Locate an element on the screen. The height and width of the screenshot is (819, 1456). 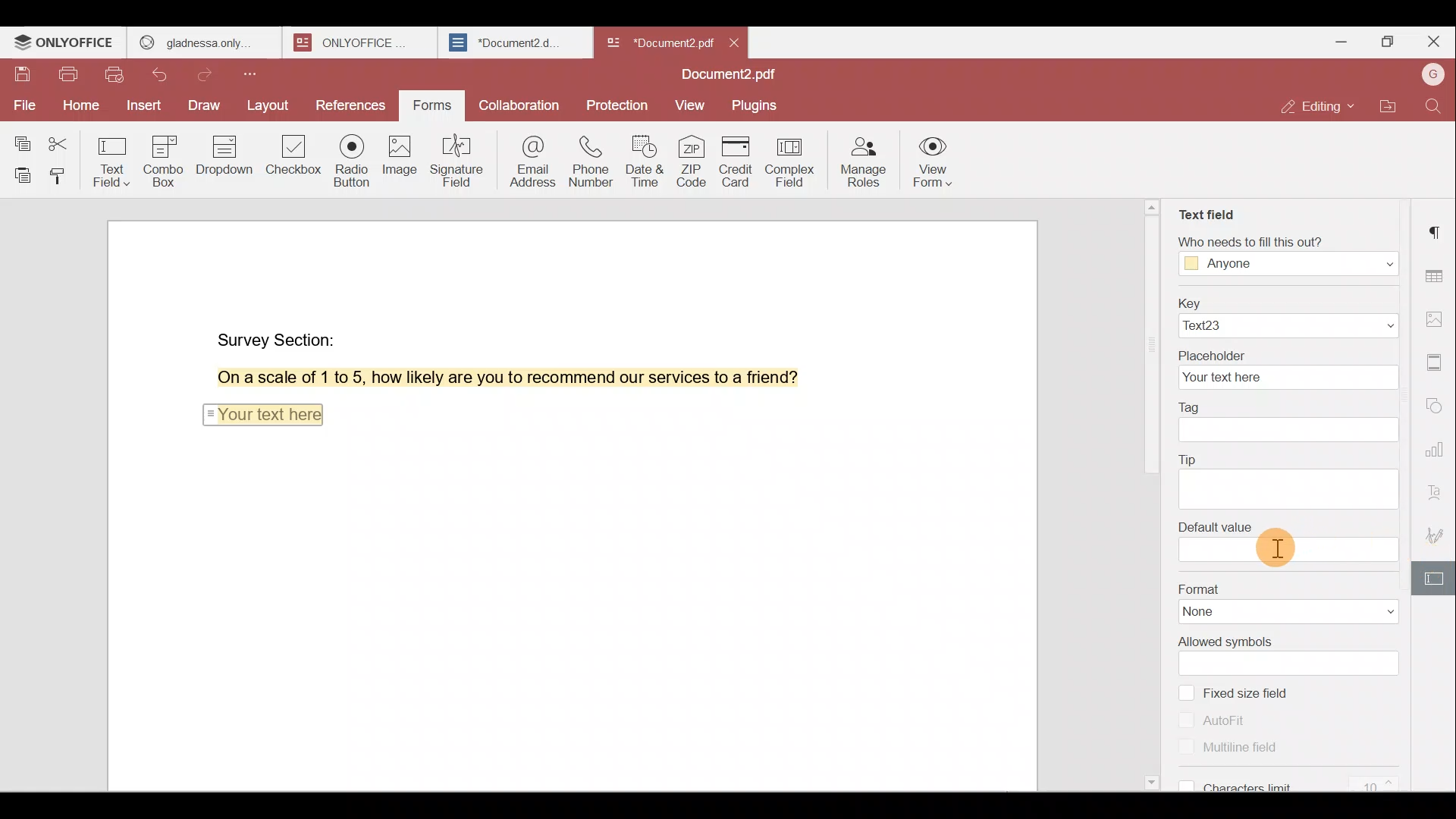
Dropdown is located at coordinates (227, 155).